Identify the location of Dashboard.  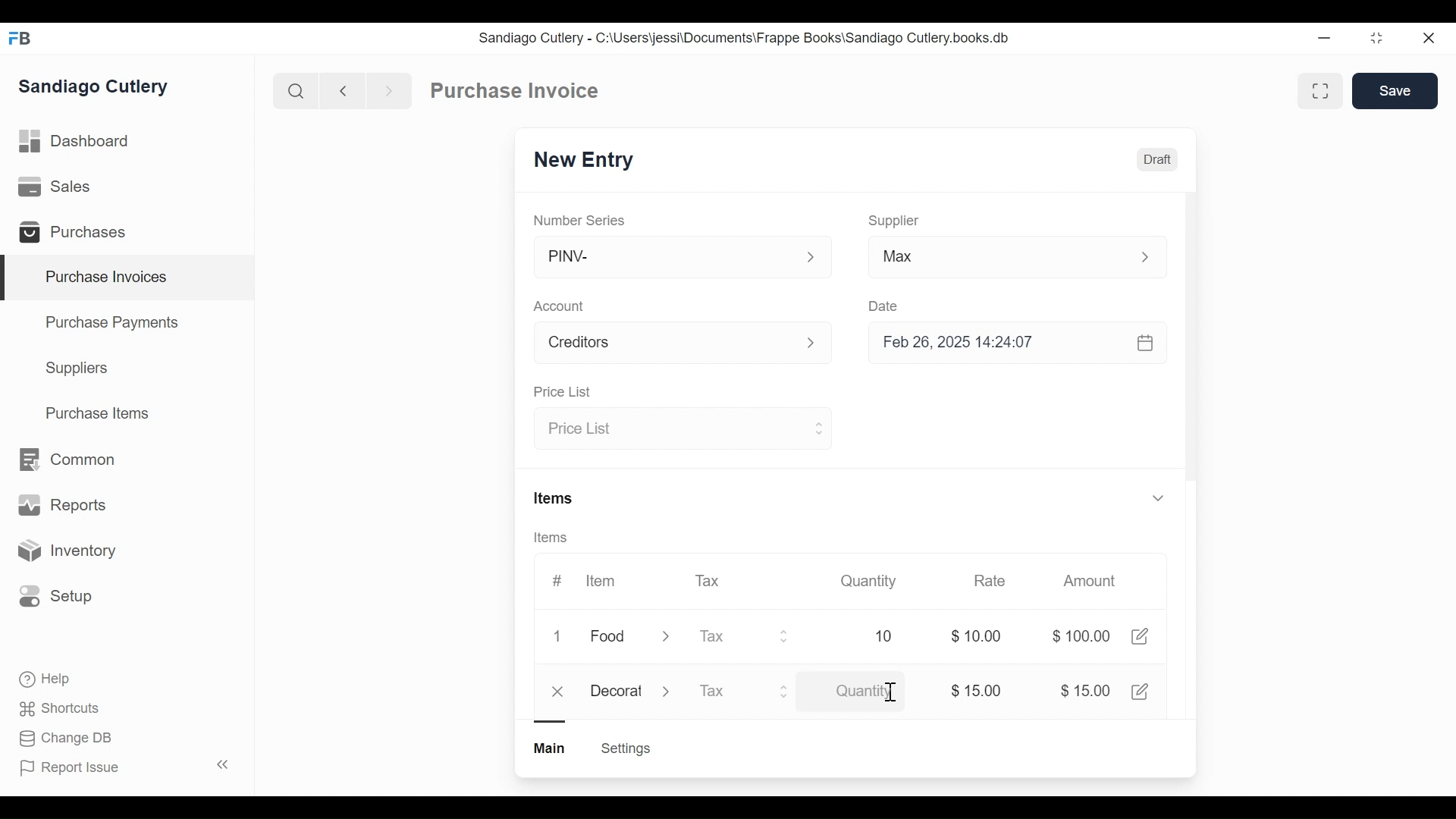
(76, 142).